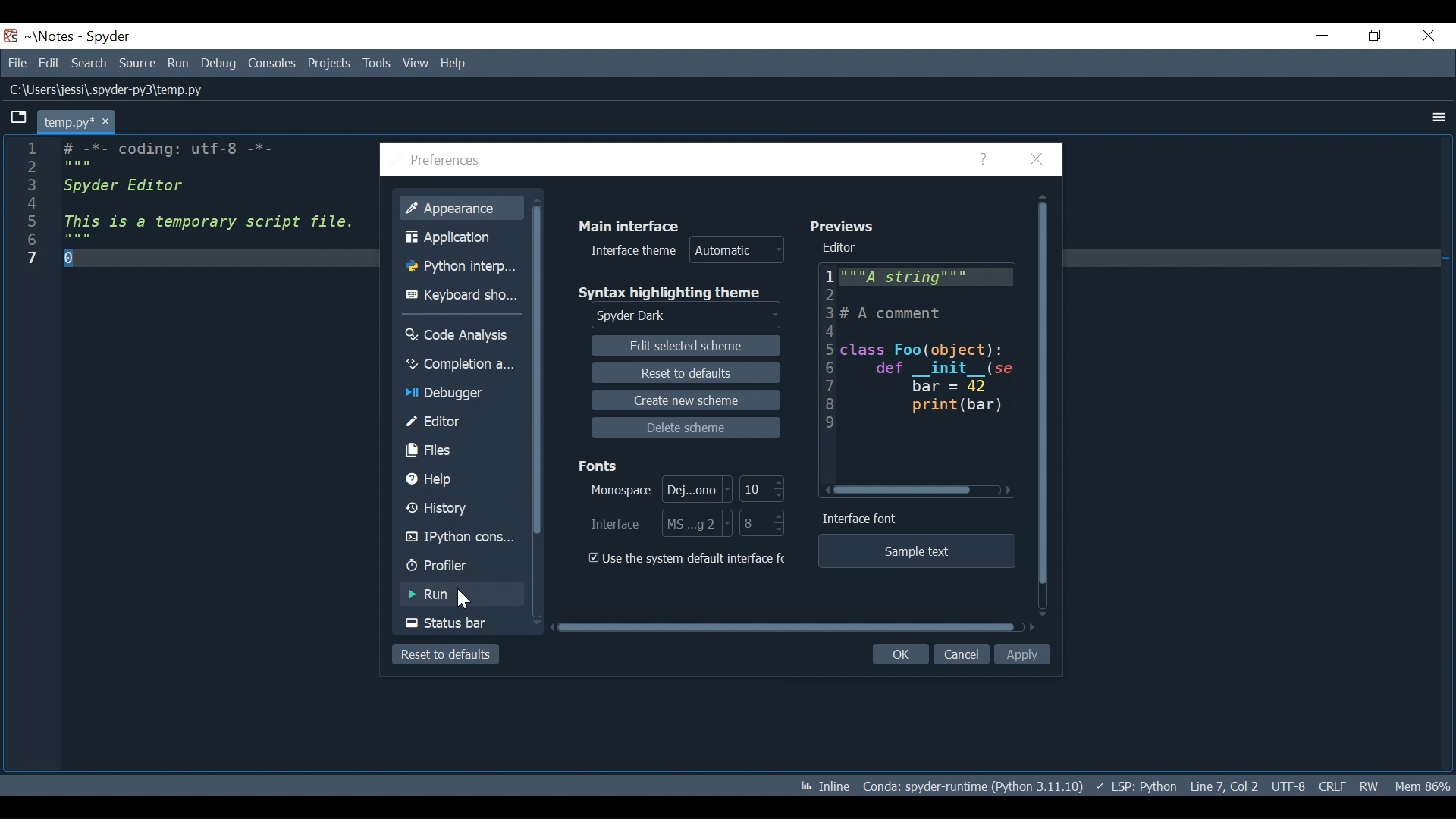 This screenshot has height=819, width=1456. I want to click on Select Syntax highlighting theme, so click(677, 317).